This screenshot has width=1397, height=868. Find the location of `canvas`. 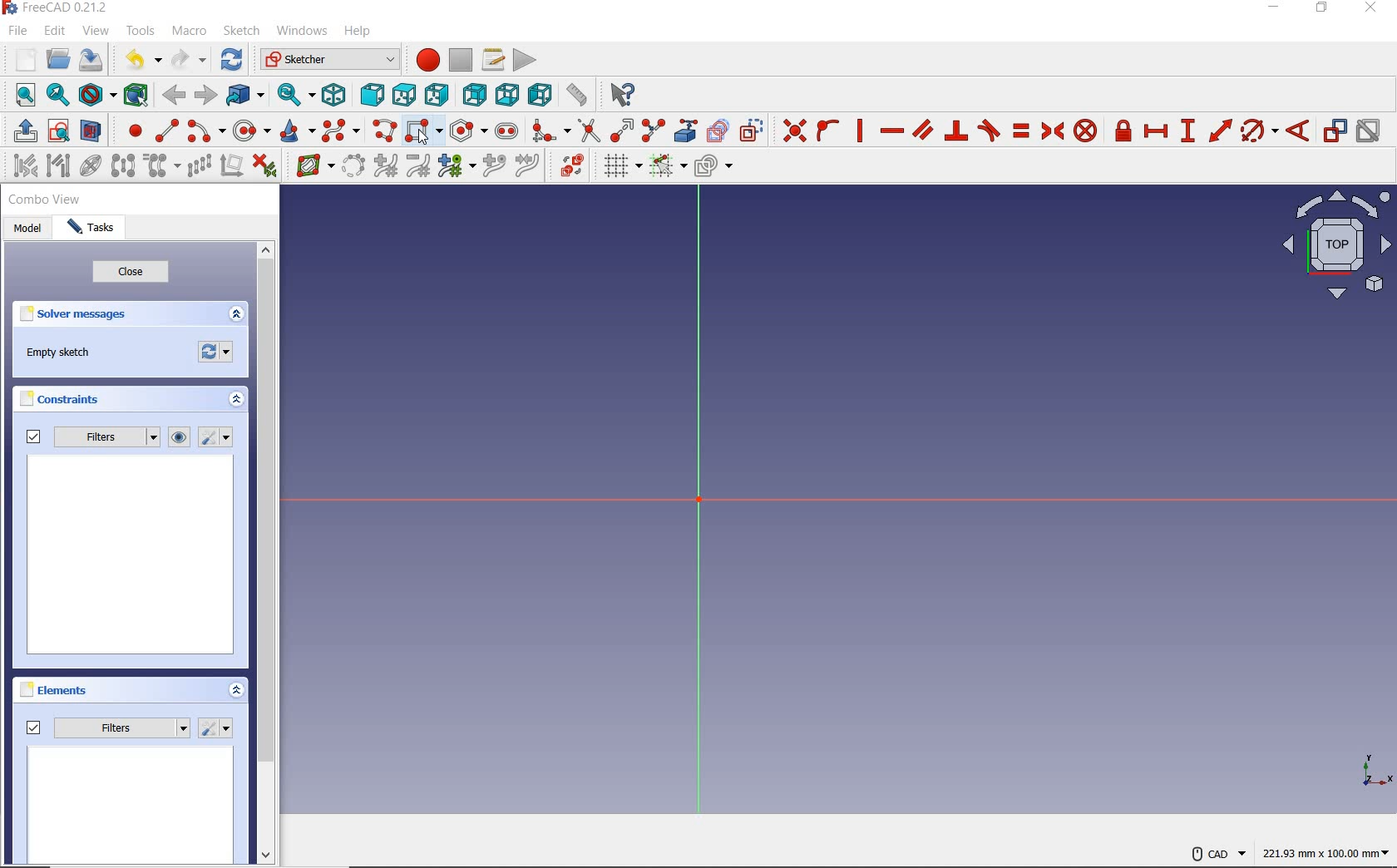

canvas is located at coordinates (798, 486).